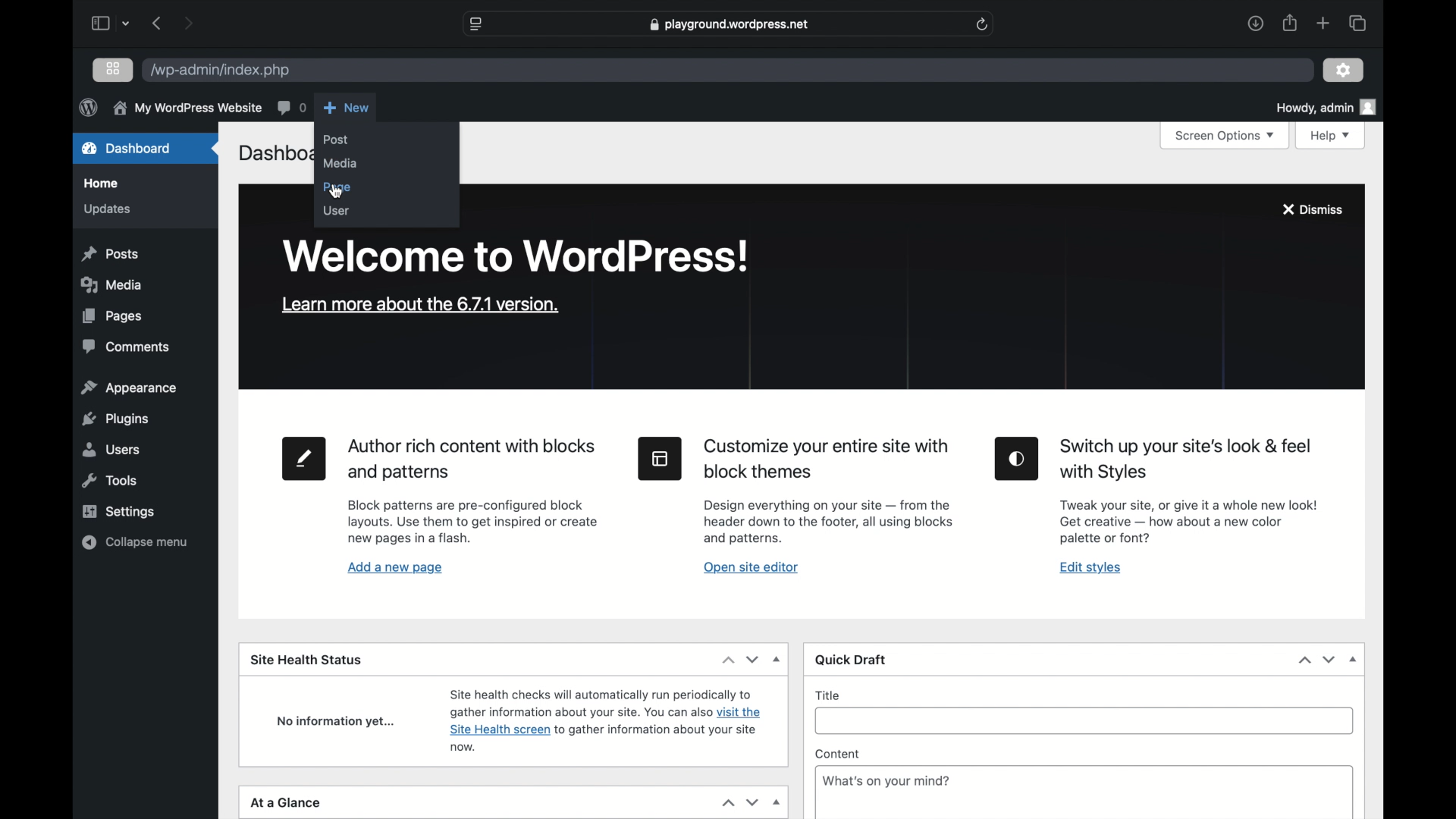  Describe the element at coordinates (108, 210) in the screenshot. I see `updates` at that location.